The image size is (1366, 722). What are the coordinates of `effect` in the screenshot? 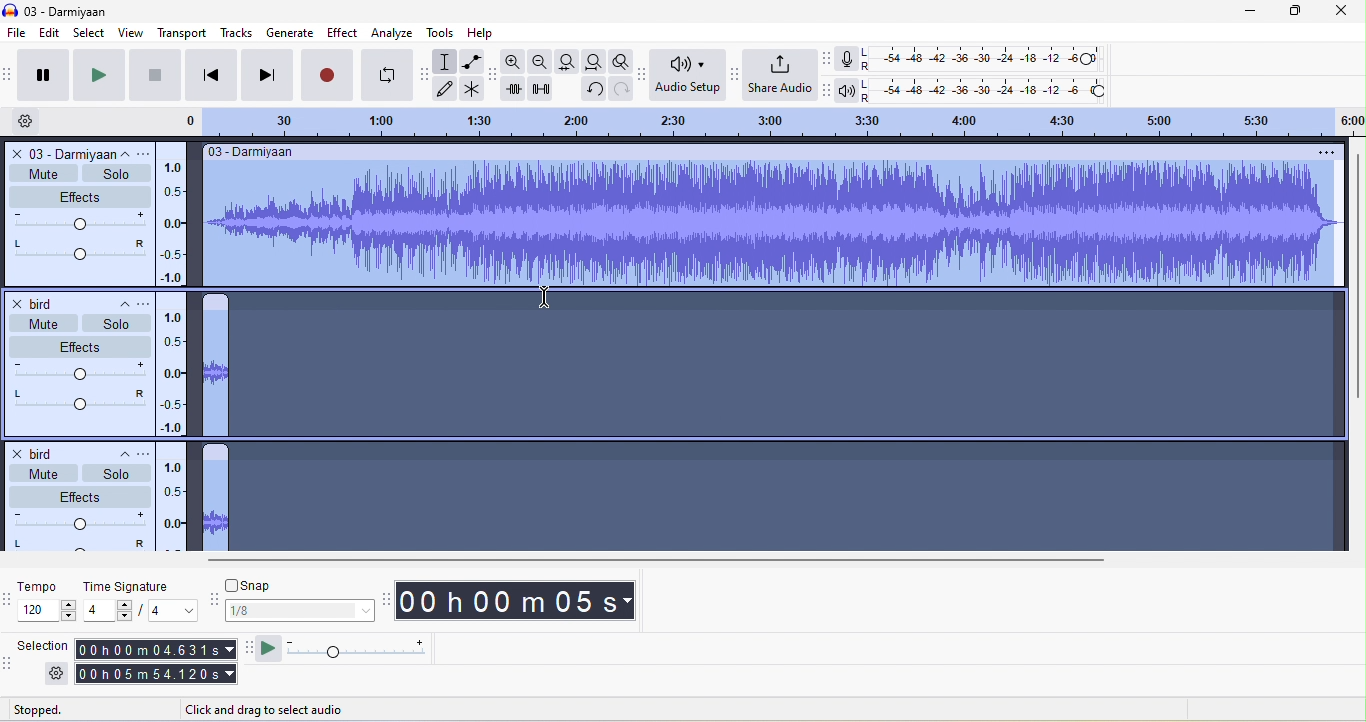 It's located at (77, 343).